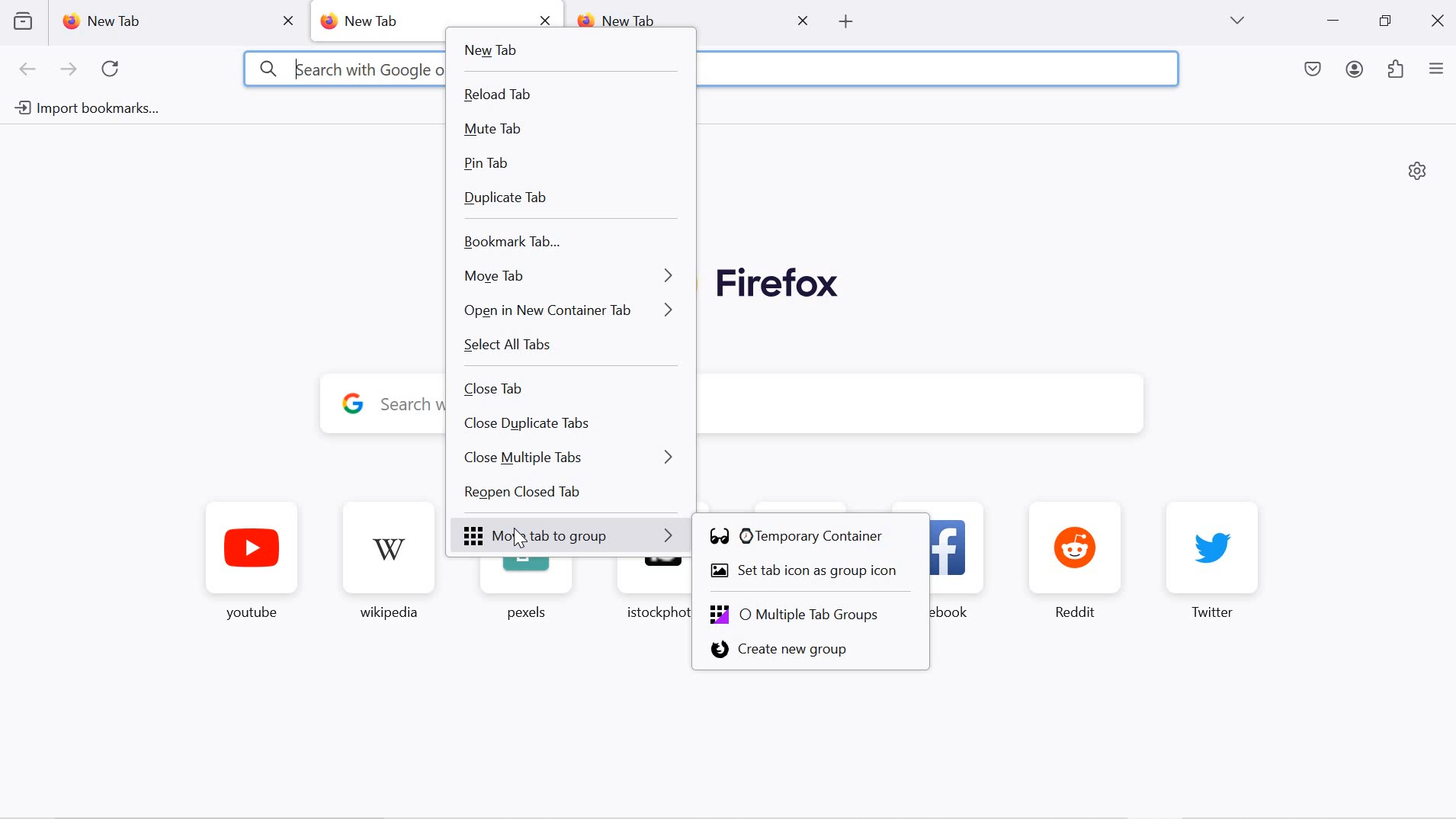 This screenshot has width=1456, height=819. I want to click on twitter favorite, so click(1212, 564).